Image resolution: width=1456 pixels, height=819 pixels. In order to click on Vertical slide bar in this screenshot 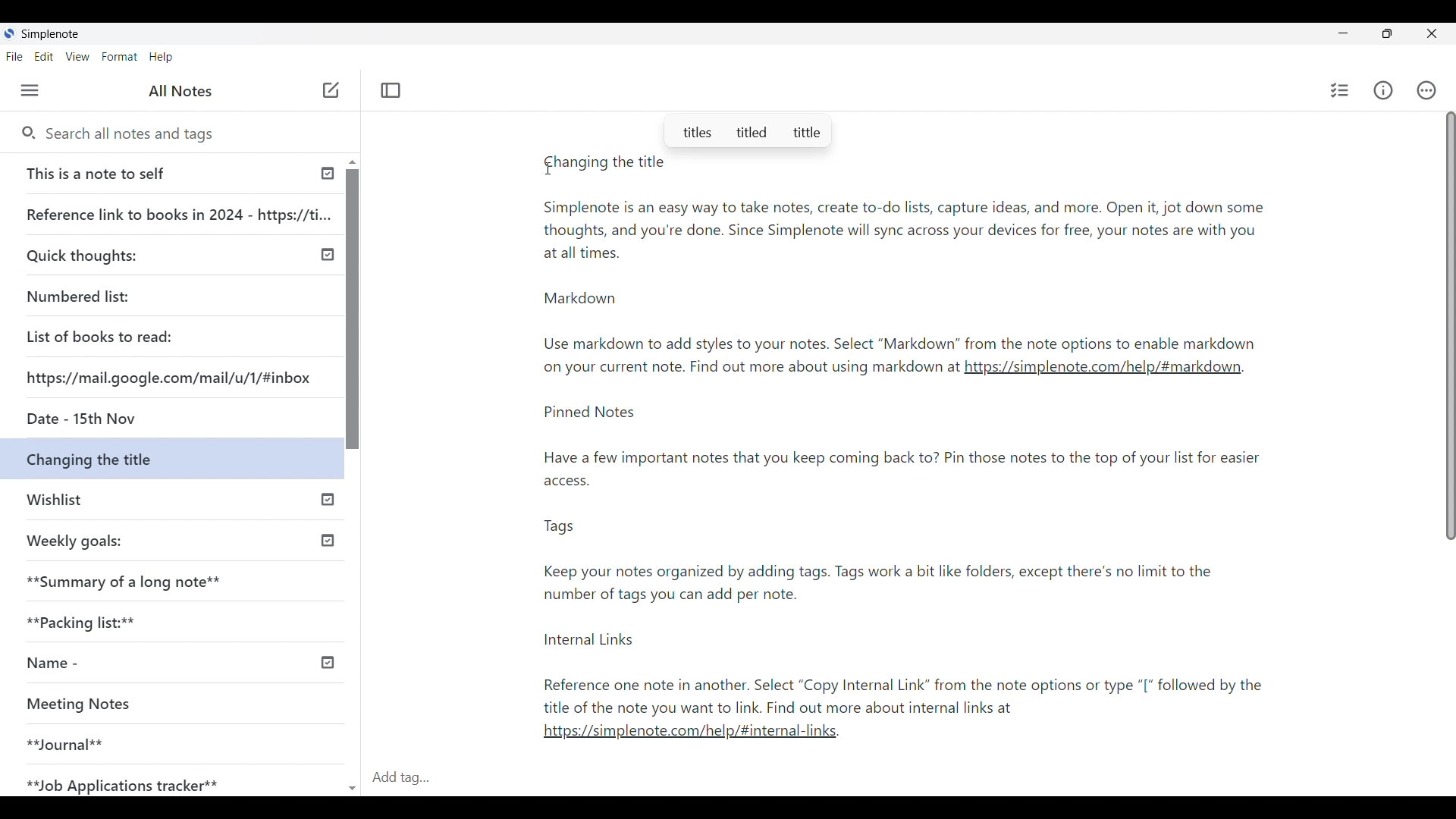, I will do `click(1450, 328)`.